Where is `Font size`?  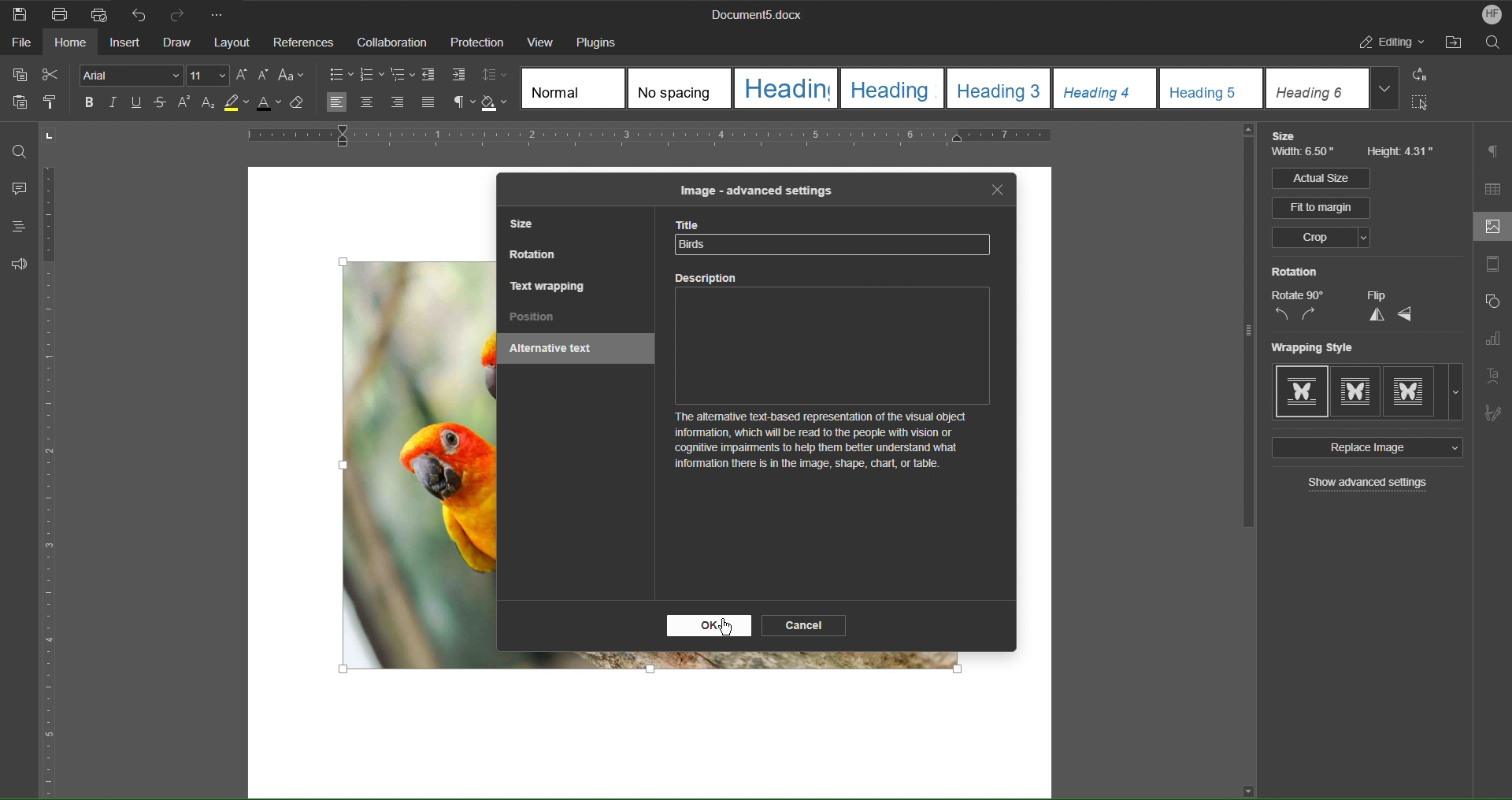
Font size is located at coordinates (209, 76).